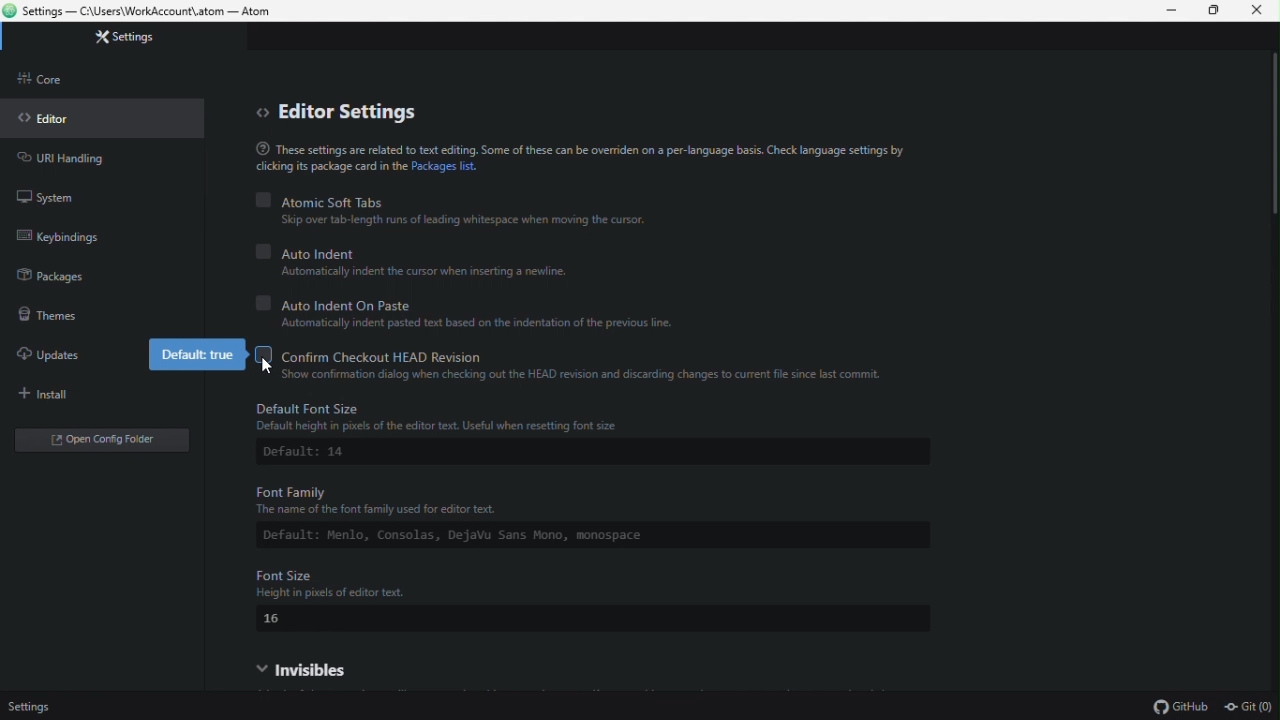 This screenshot has width=1280, height=720. Describe the element at coordinates (601, 375) in the screenshot. I see `"Show confirmation dialog when checking out the HEAD revision and discarding changes to current file since last commit.` at that location.